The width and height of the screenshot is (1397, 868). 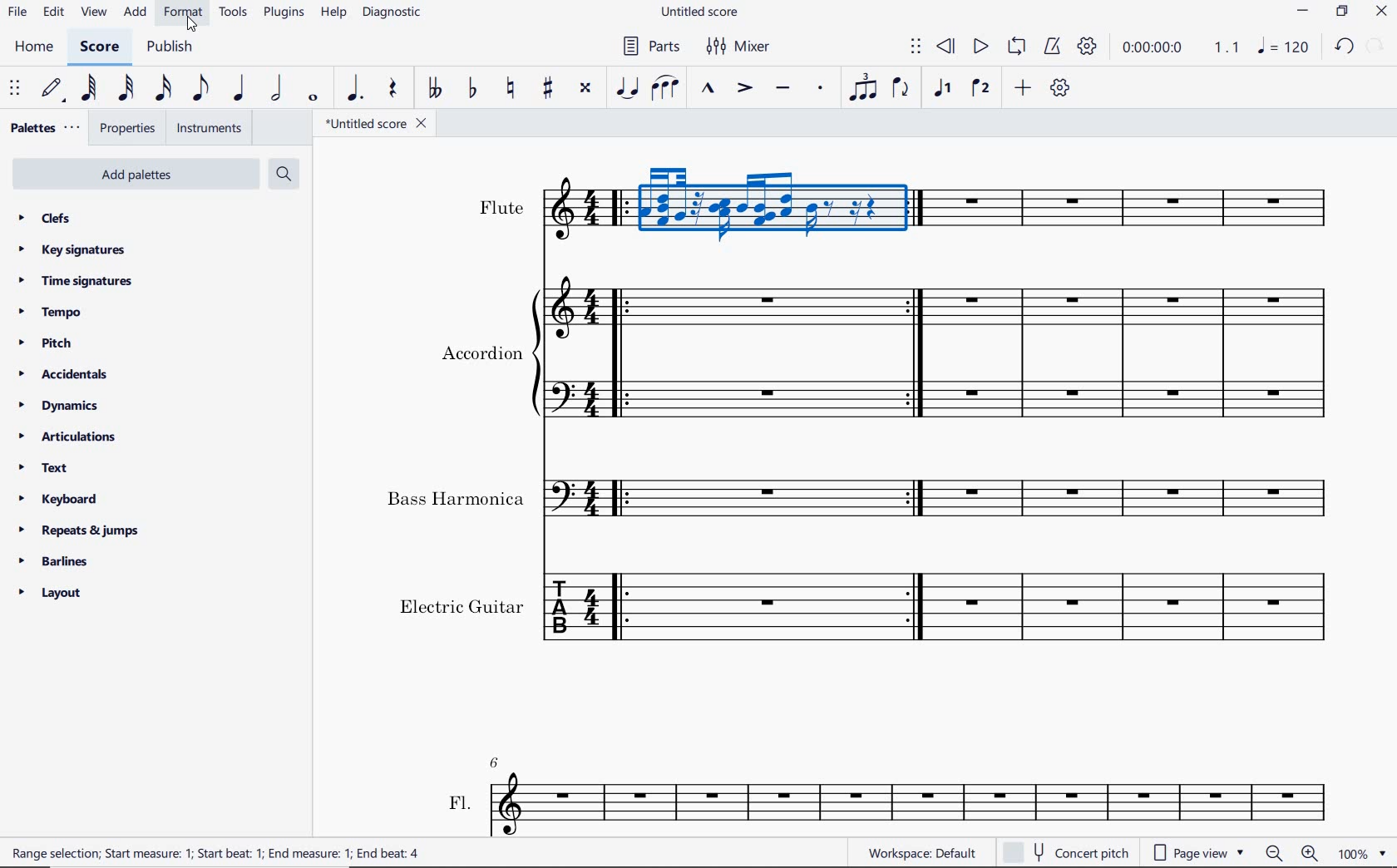 I want to click on home, so click(x=37, y=47).